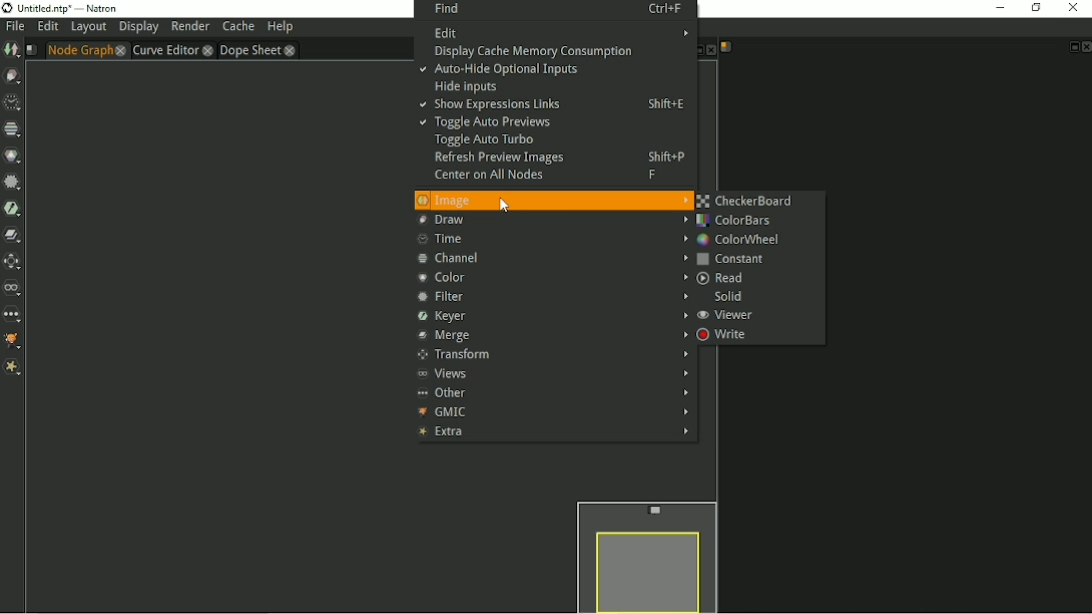 Image resolution: width=1092 pixels, height=614 pixels. Describe the element at coordinates (553, 257) in the screenshot. I see `Channel` at that location.